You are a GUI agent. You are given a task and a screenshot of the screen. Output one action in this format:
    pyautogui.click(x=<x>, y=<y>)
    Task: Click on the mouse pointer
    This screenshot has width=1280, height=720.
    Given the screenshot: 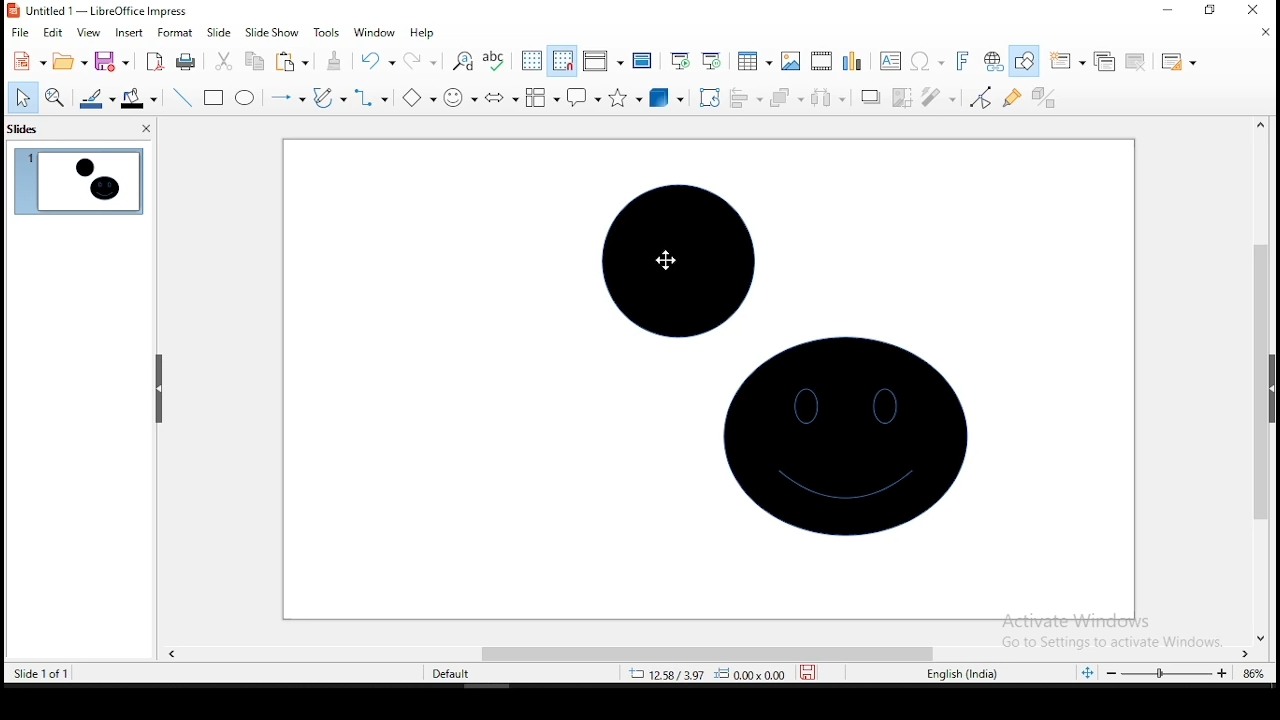 What is the action you would take?
    pyautogui.click(x=666, y=259)
    